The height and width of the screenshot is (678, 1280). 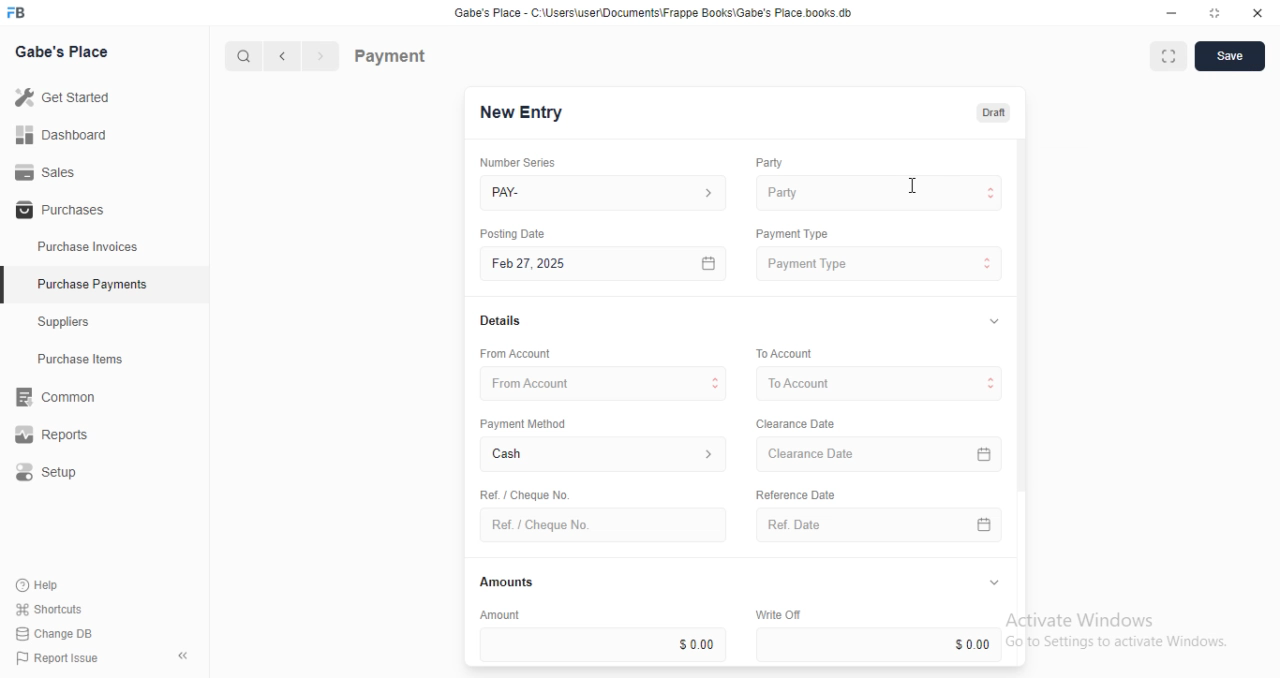 What do you see at coordinates (522, 493) in the screenshot?
I see `Ret. / Cheque No.` at bounding box center [522, 493].